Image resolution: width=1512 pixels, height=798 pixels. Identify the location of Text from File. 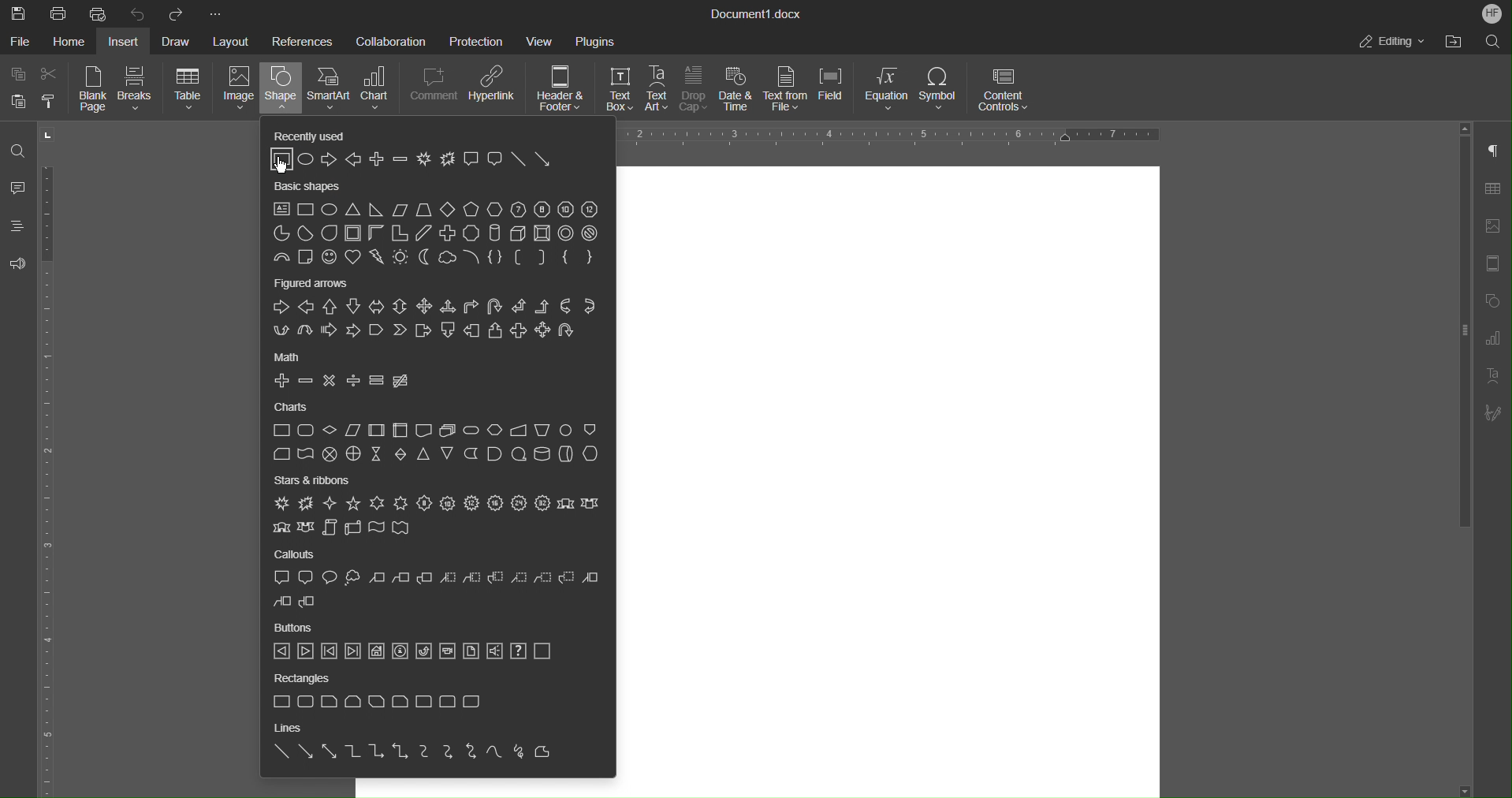
(787, 90).